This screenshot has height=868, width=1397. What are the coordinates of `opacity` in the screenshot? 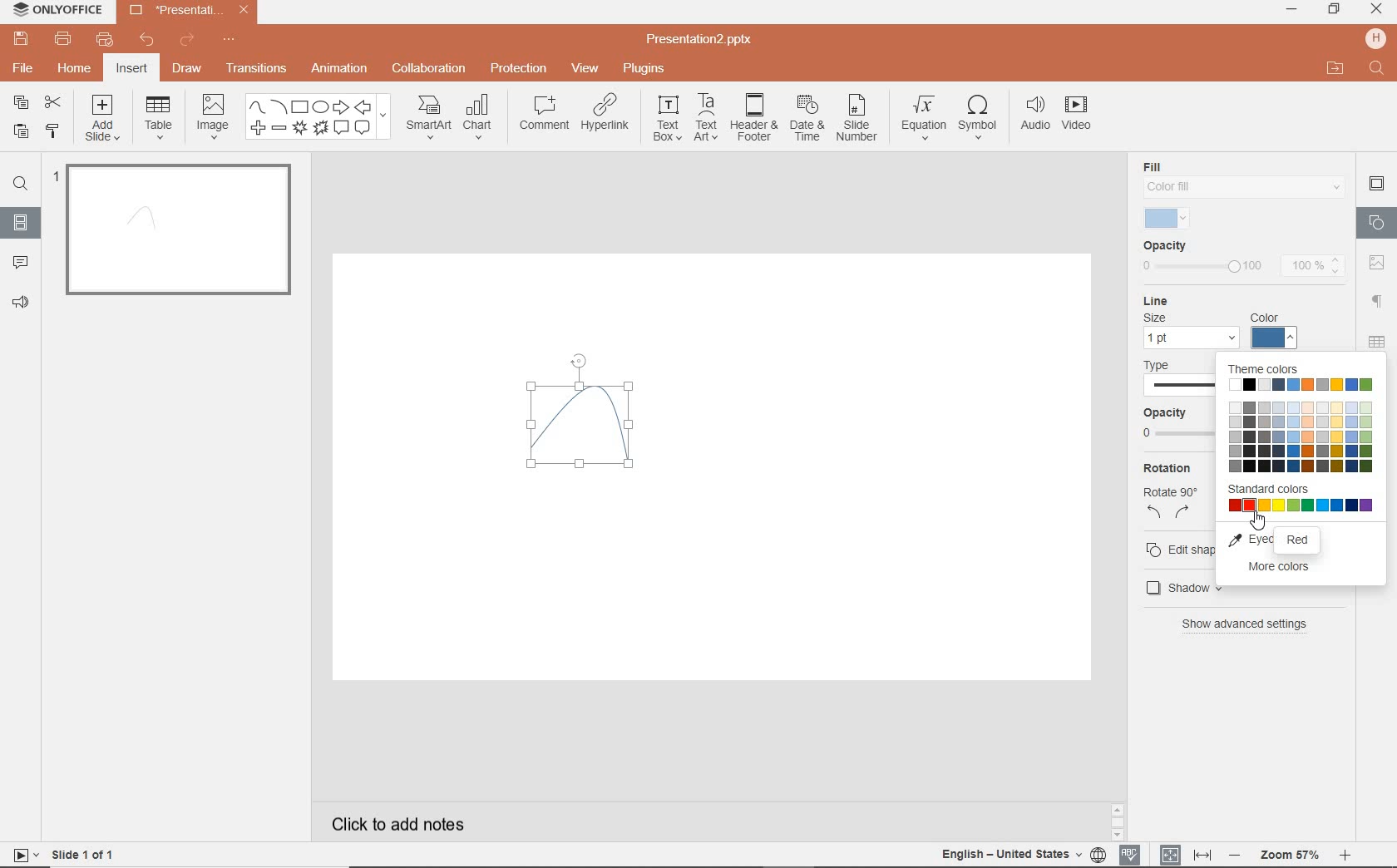 It's located at (1201, 259).